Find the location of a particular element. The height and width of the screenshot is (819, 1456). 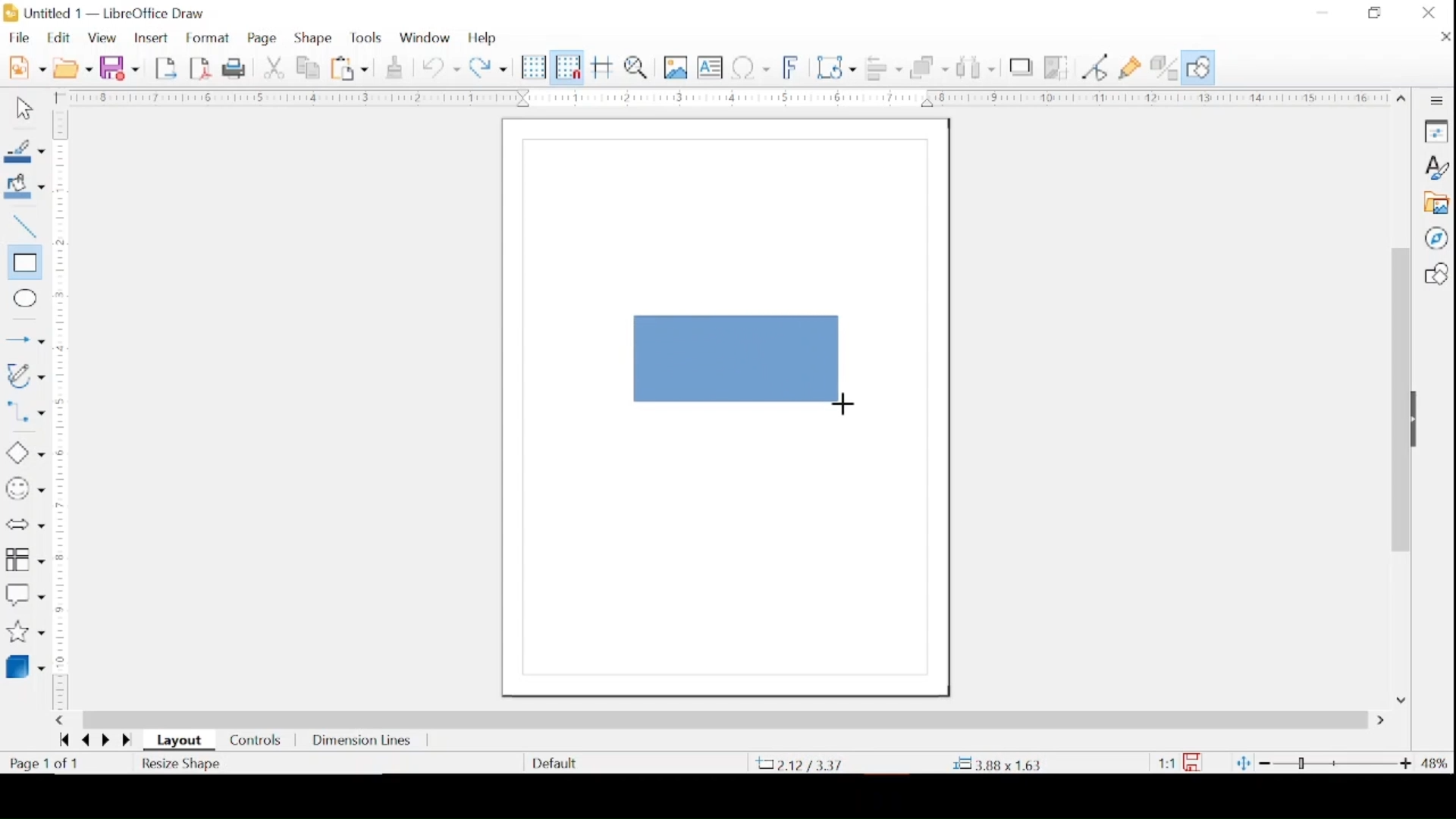

shadow is located at coordinates (1021, 67).